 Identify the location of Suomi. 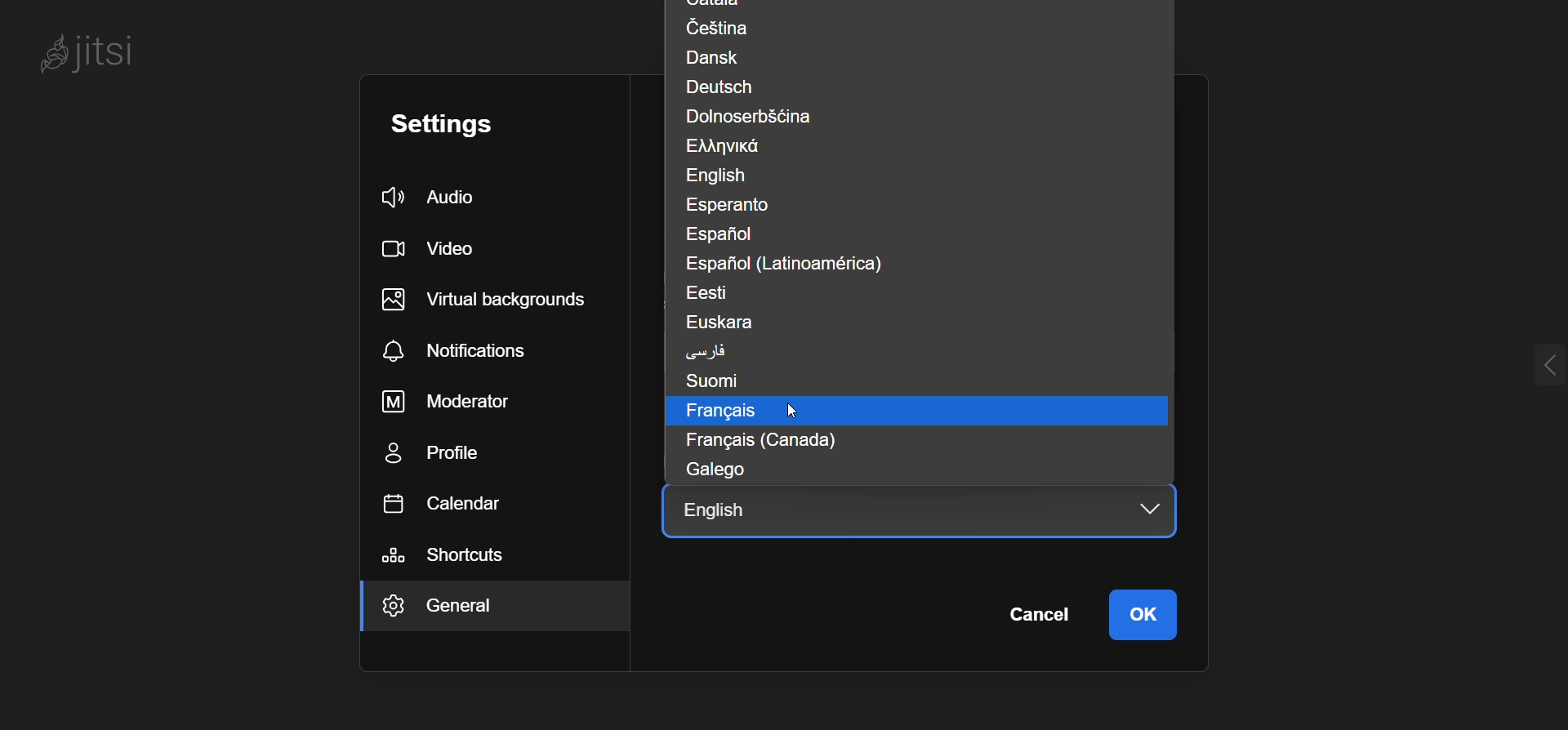
(706, 381).